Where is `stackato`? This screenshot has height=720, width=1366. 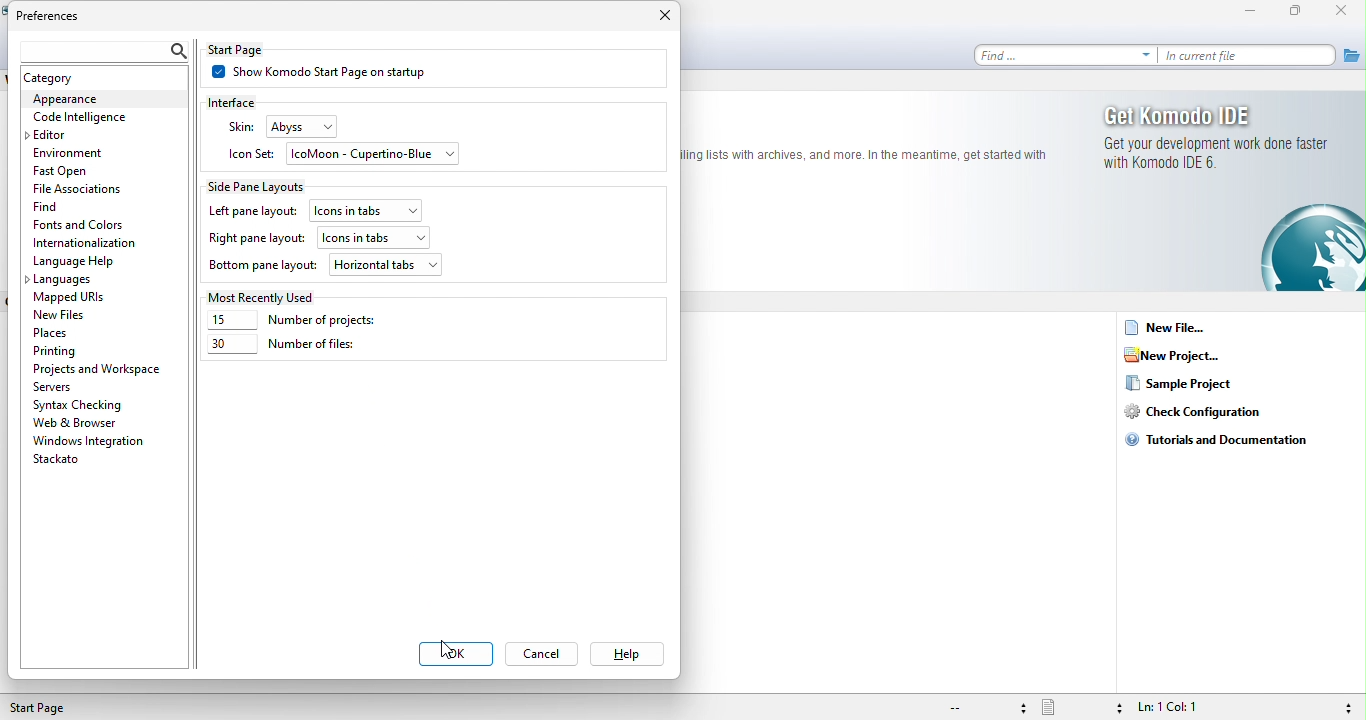
stackato is located at coordinates (62, 461).